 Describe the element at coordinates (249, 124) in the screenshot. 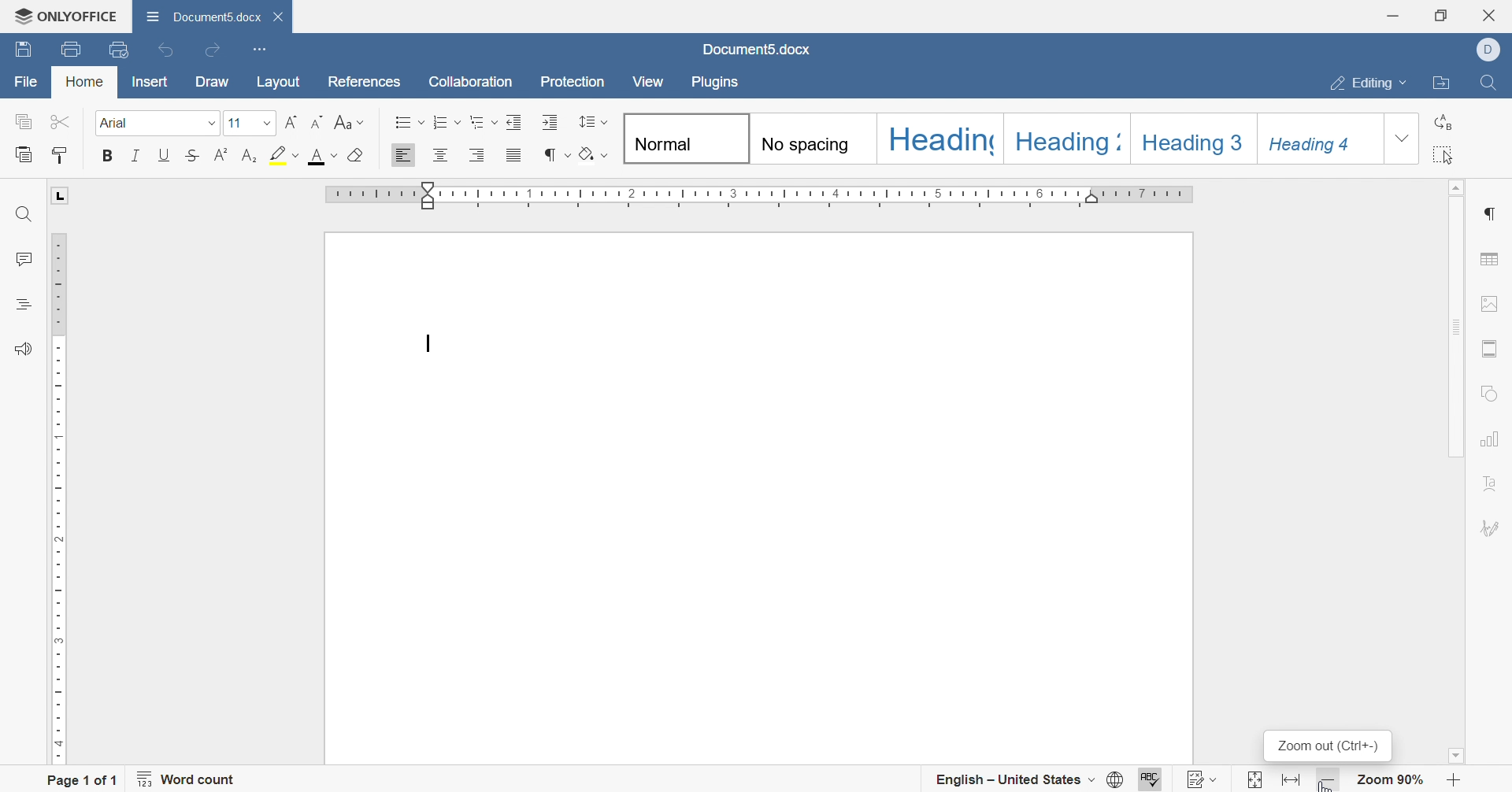

I see `font size` at that location.